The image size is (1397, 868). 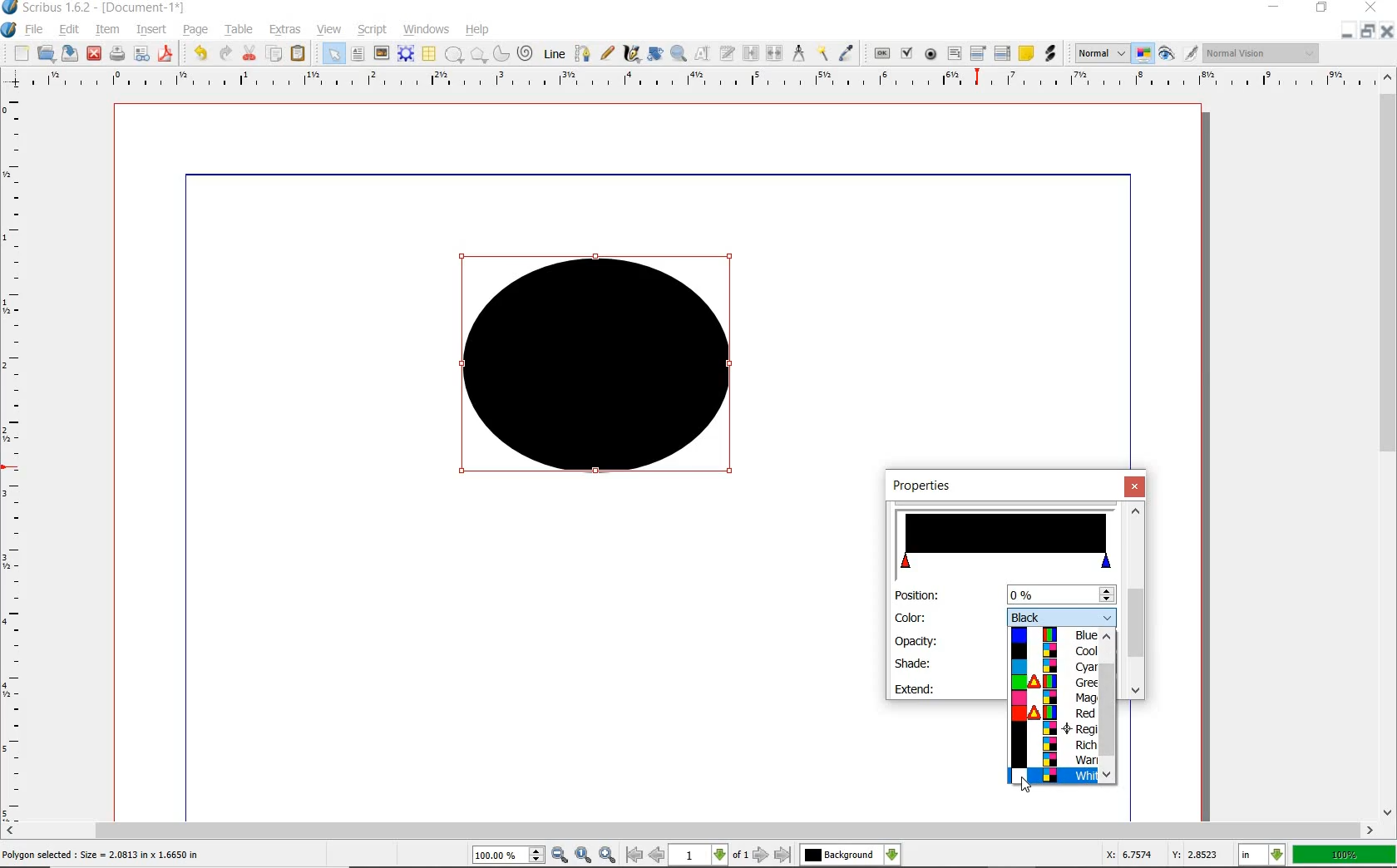 What do you see at coordinates (200, 53) in the screenshot?
I see `UNDO` at bounding box center [200, 53].